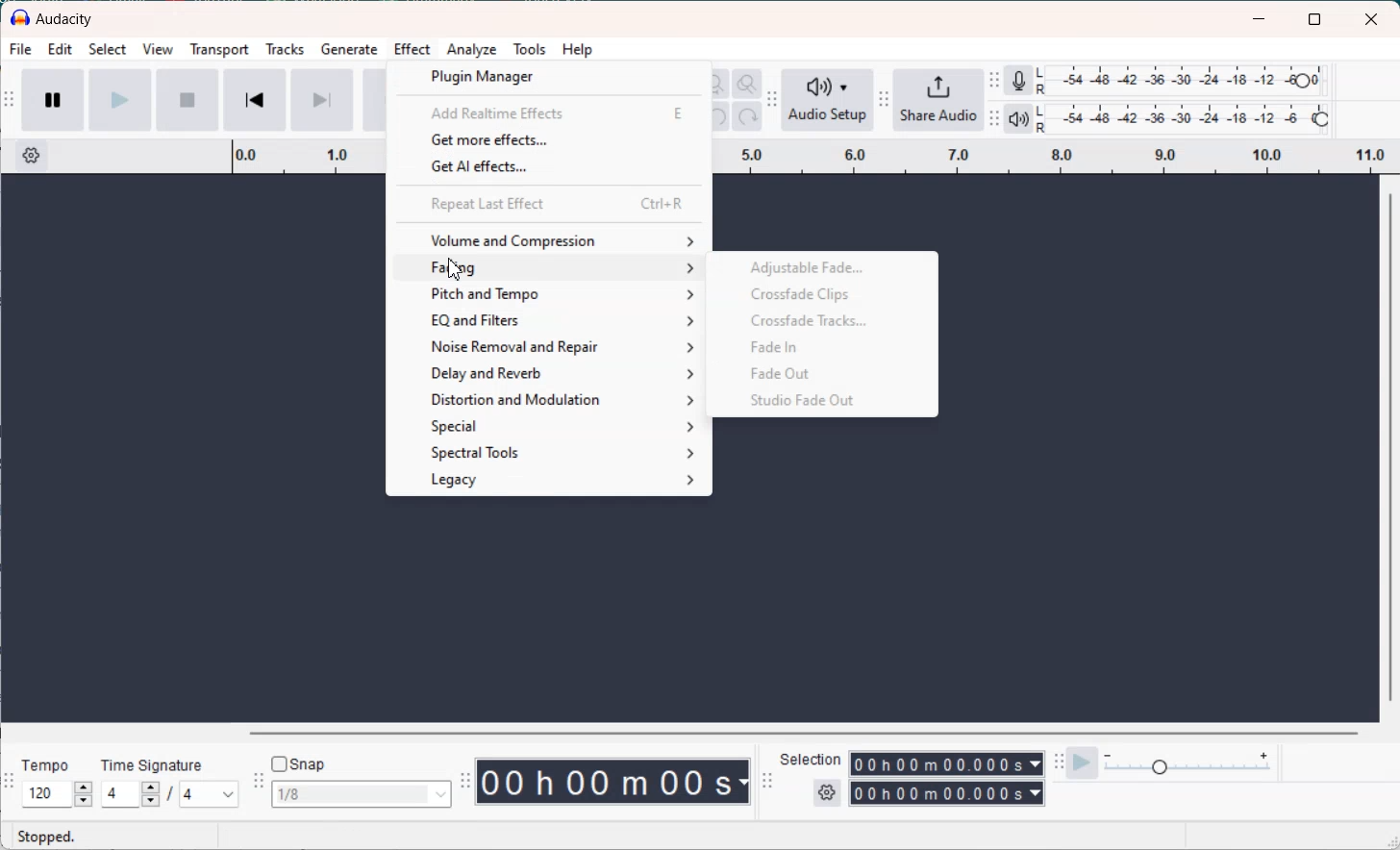 Image resolution: width=1400 pixels, height=850 pixels. Describe the element at coordinates (362, 793) in the screenshot. I see `1/8` at that location.